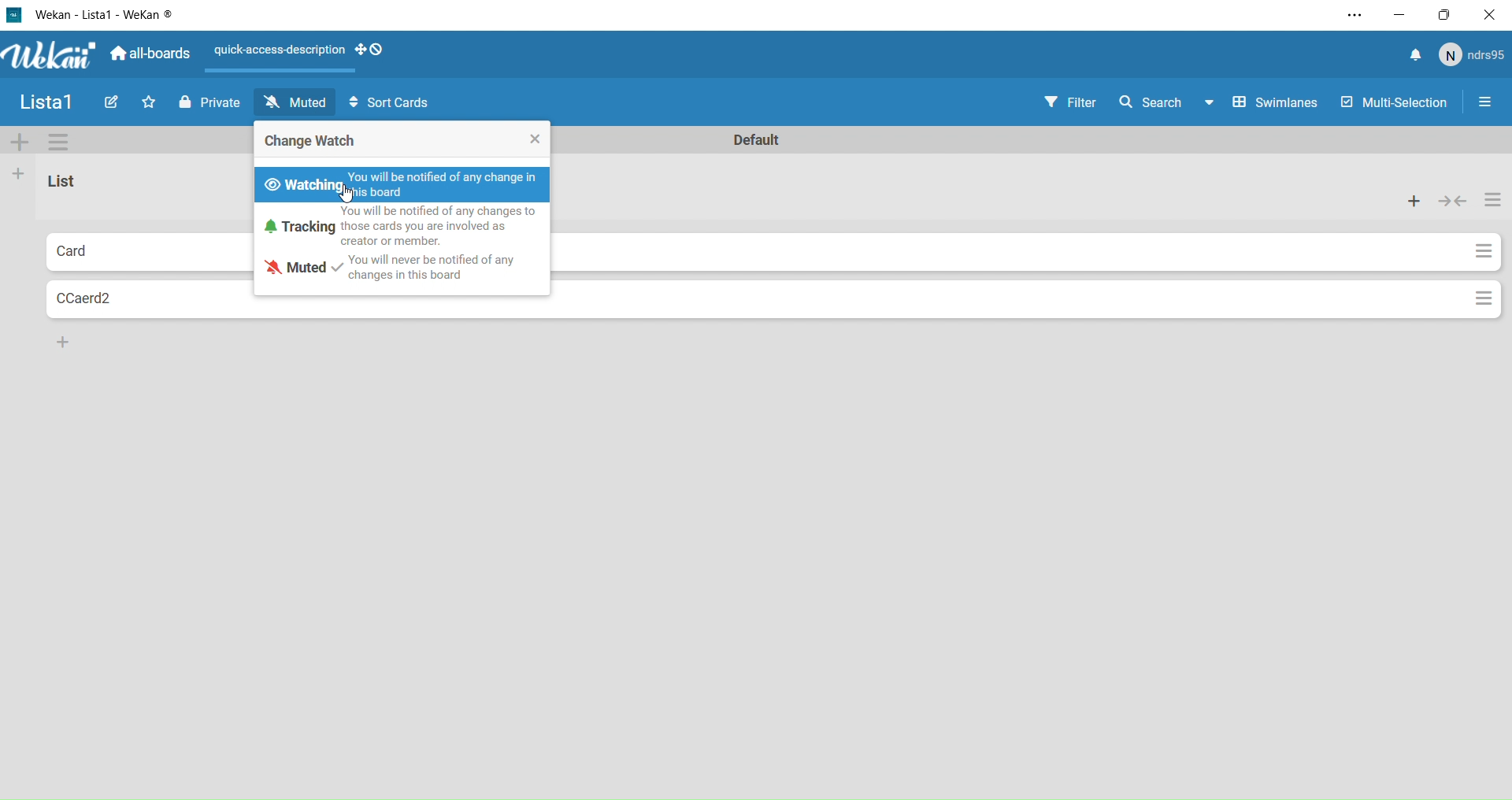 The width and height of the screenshot is (1512, 800). Describe the element at coordinates (111, 103) in the screenshot. I see `Edit` at that location.